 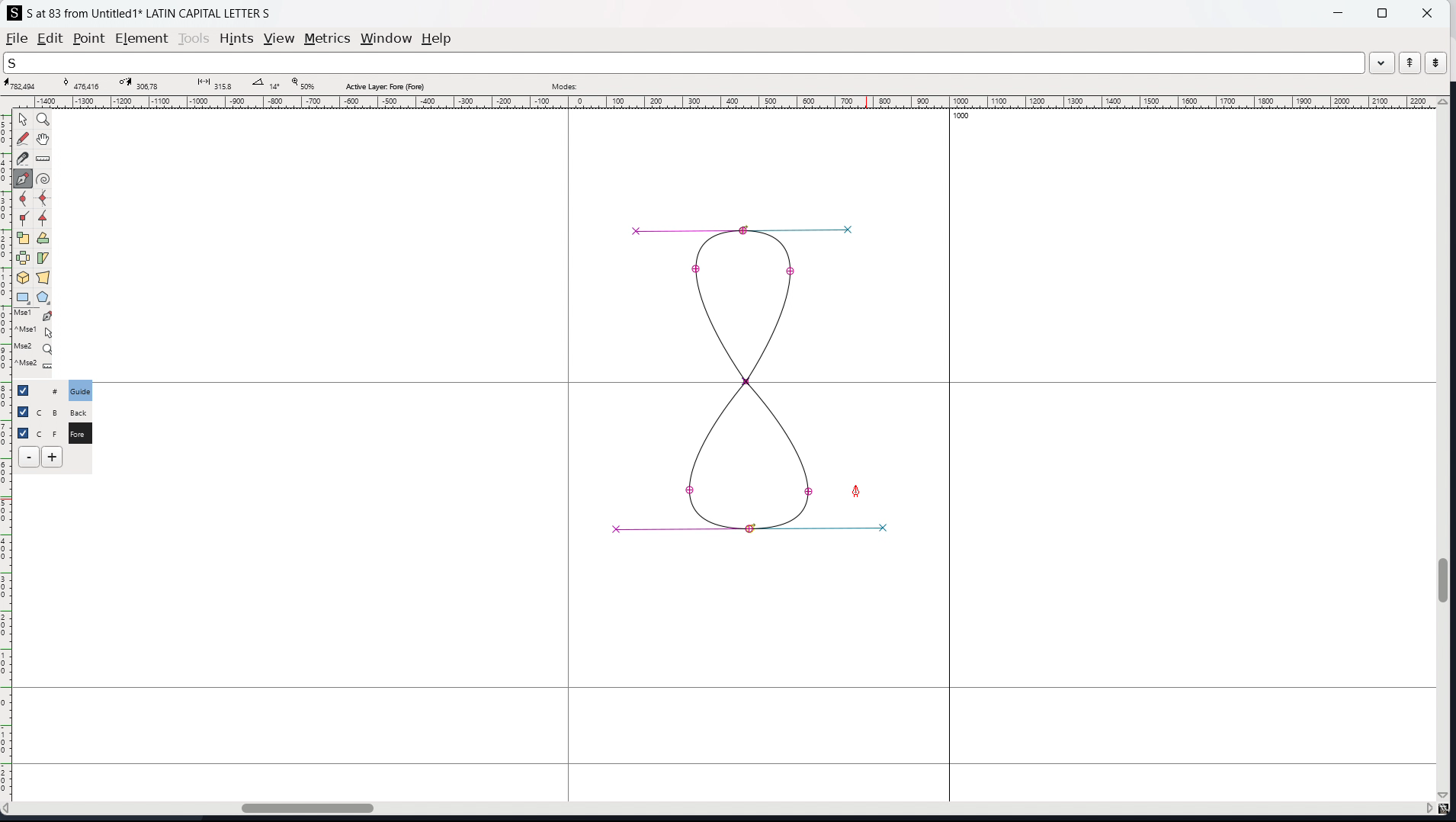 What do you see at coordinates (195, 38) in the screenshot?
I see `tools` at bounding box center [195, 38].